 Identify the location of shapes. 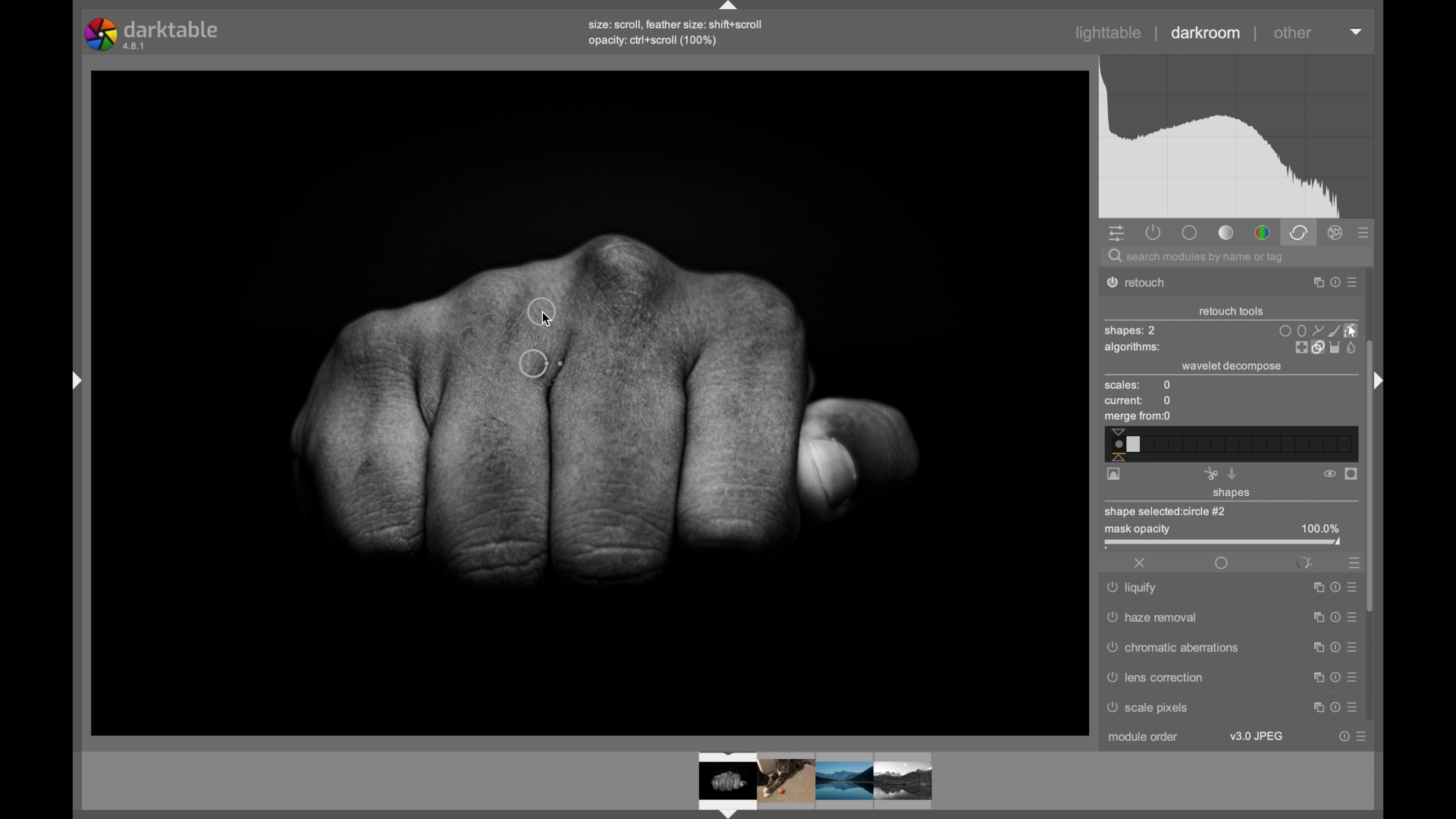
(1232, 494).